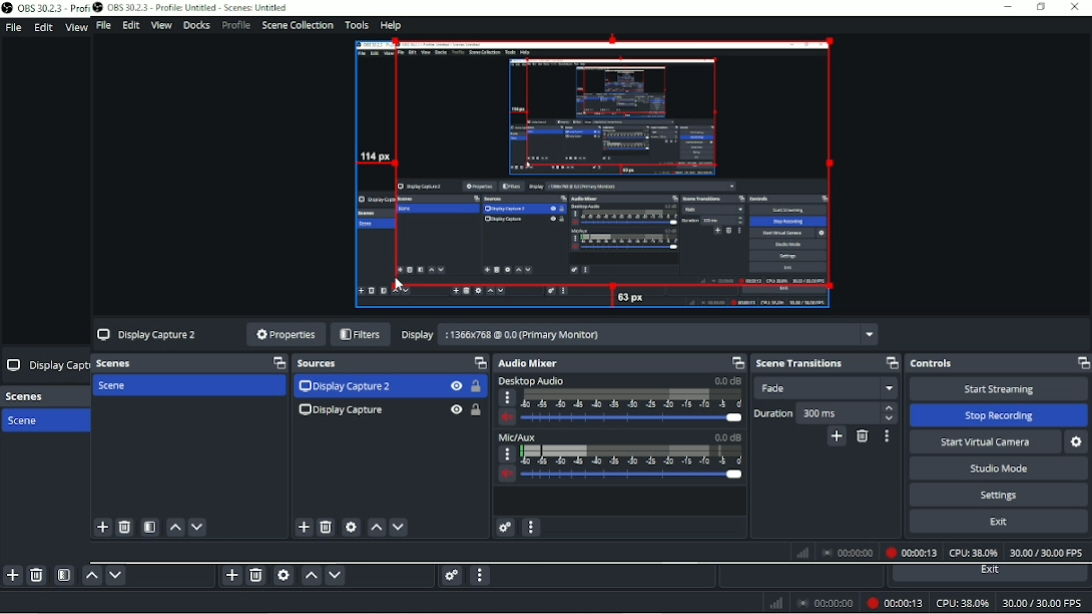 The image size is (1092, 614). What do you see at coordinates (634, 420) in the screenshot?
I see `slider` at bounding box center [634, 420].